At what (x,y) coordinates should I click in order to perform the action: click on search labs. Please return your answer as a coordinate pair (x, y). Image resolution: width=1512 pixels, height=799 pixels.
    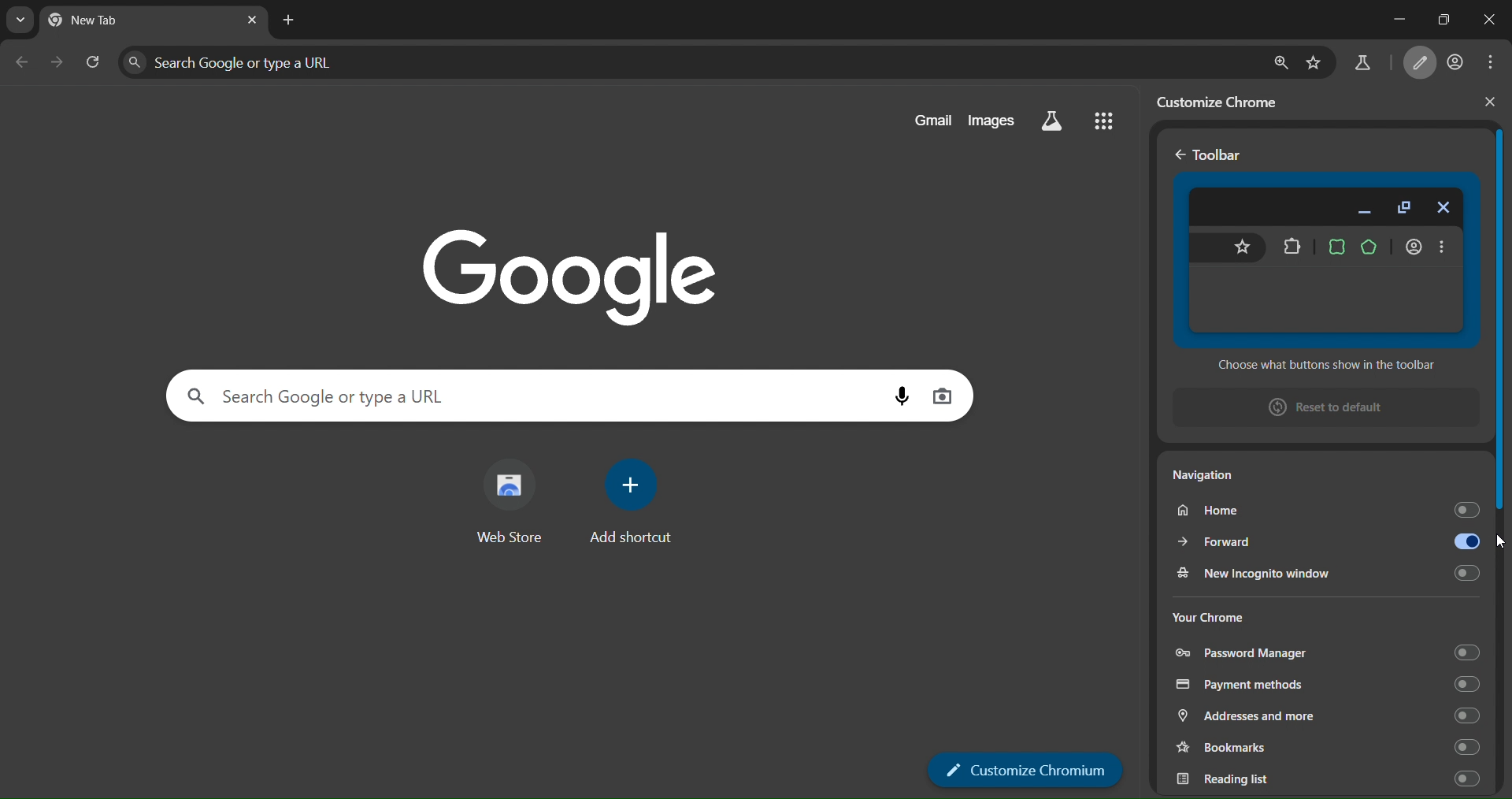
    Looking at the image, I should click on (1361, 63).